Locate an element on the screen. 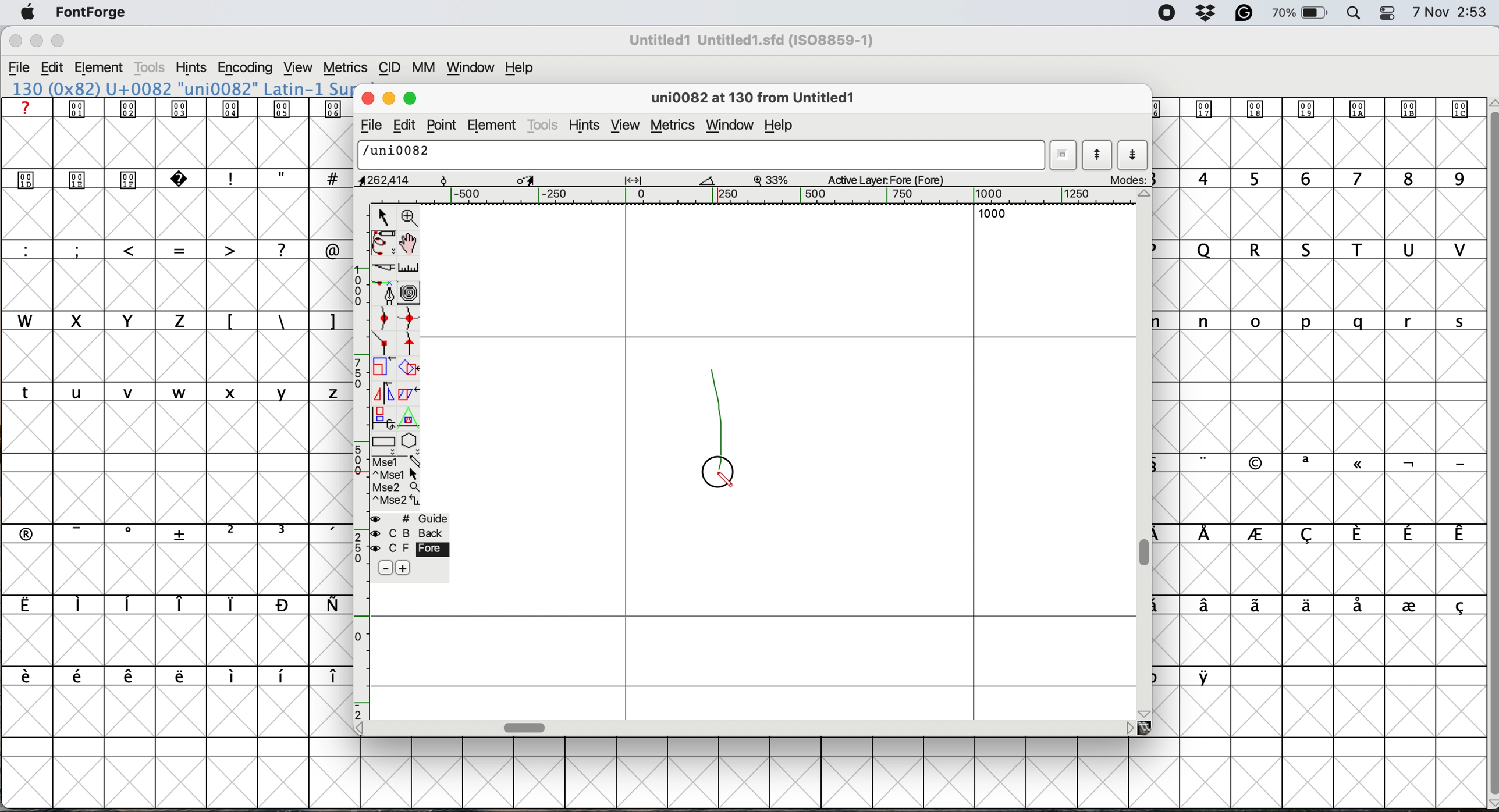  add a comer point is located at coordinates (385, 345).